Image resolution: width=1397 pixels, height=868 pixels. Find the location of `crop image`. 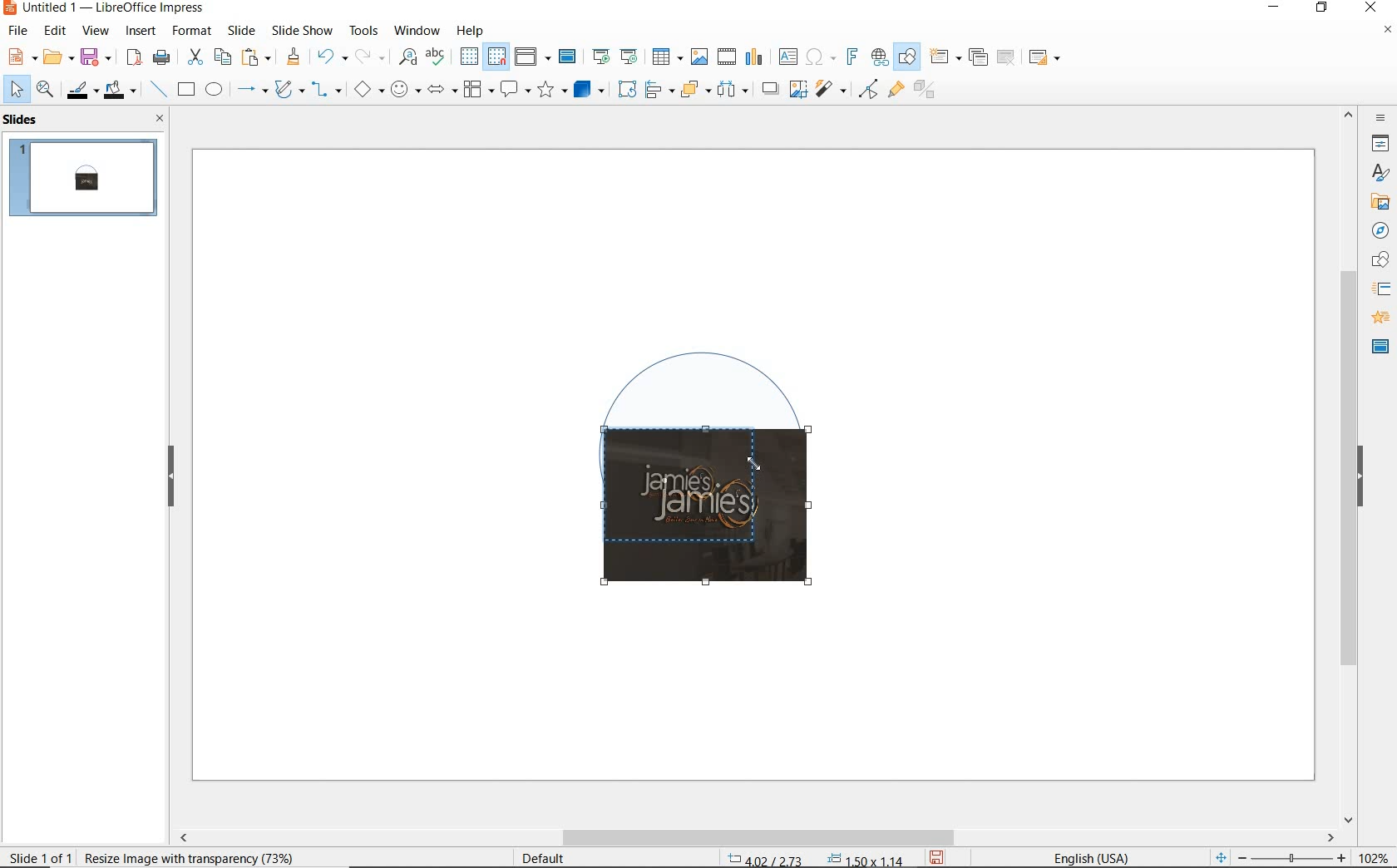

crop image is located at coordinates (797, 87).